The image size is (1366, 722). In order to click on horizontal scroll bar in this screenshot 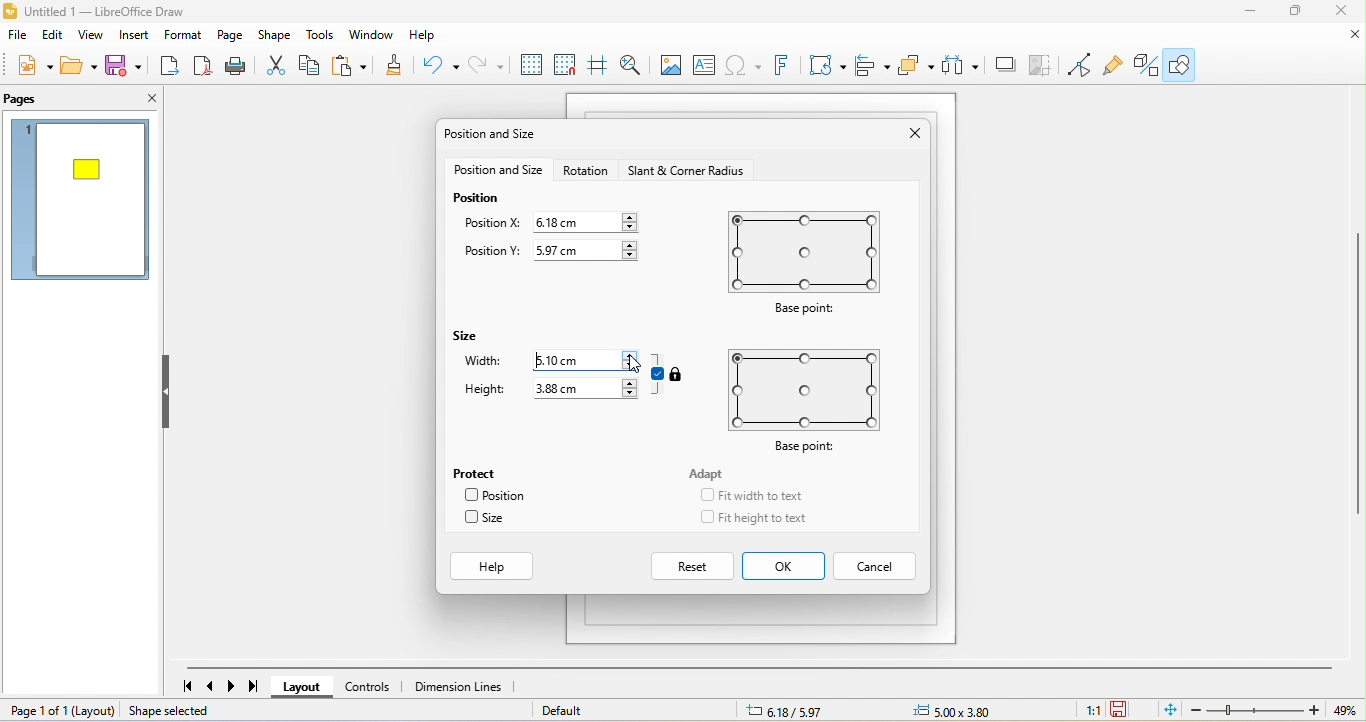, I will do `click(770, 667)`.